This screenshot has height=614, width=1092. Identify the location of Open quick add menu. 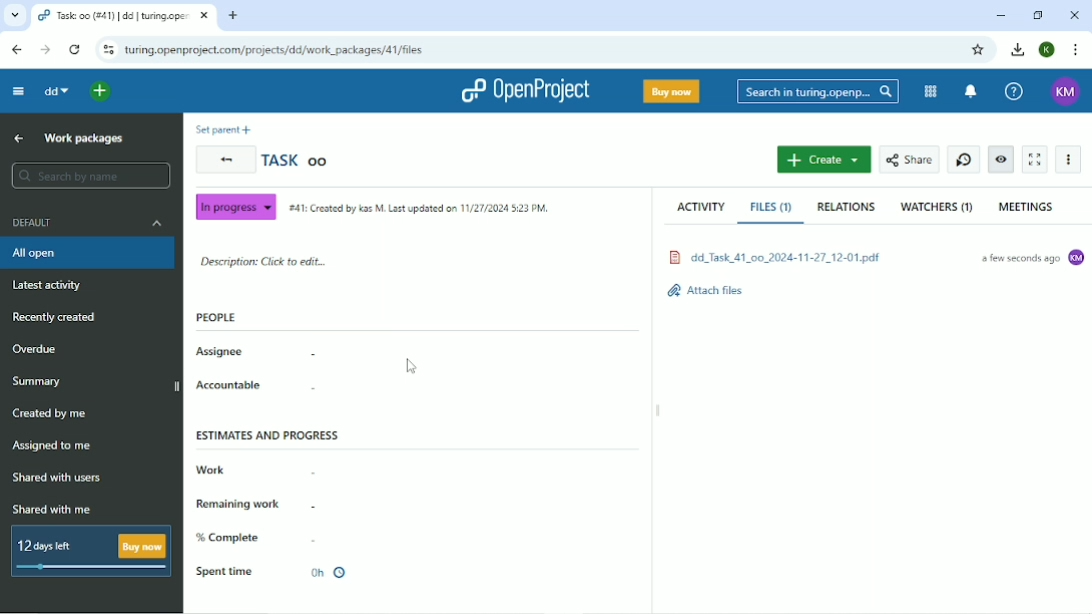
(101, 93).